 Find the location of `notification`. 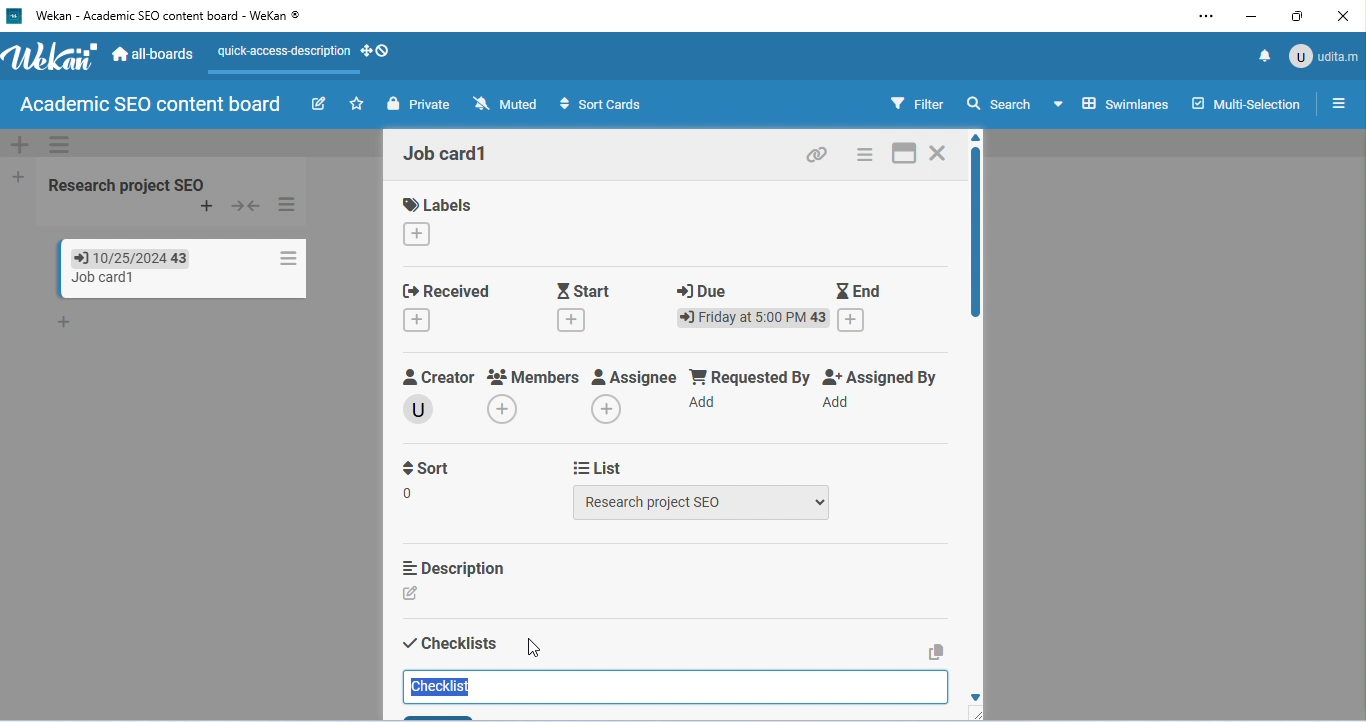

notification is located at coordinates (1262, 55).